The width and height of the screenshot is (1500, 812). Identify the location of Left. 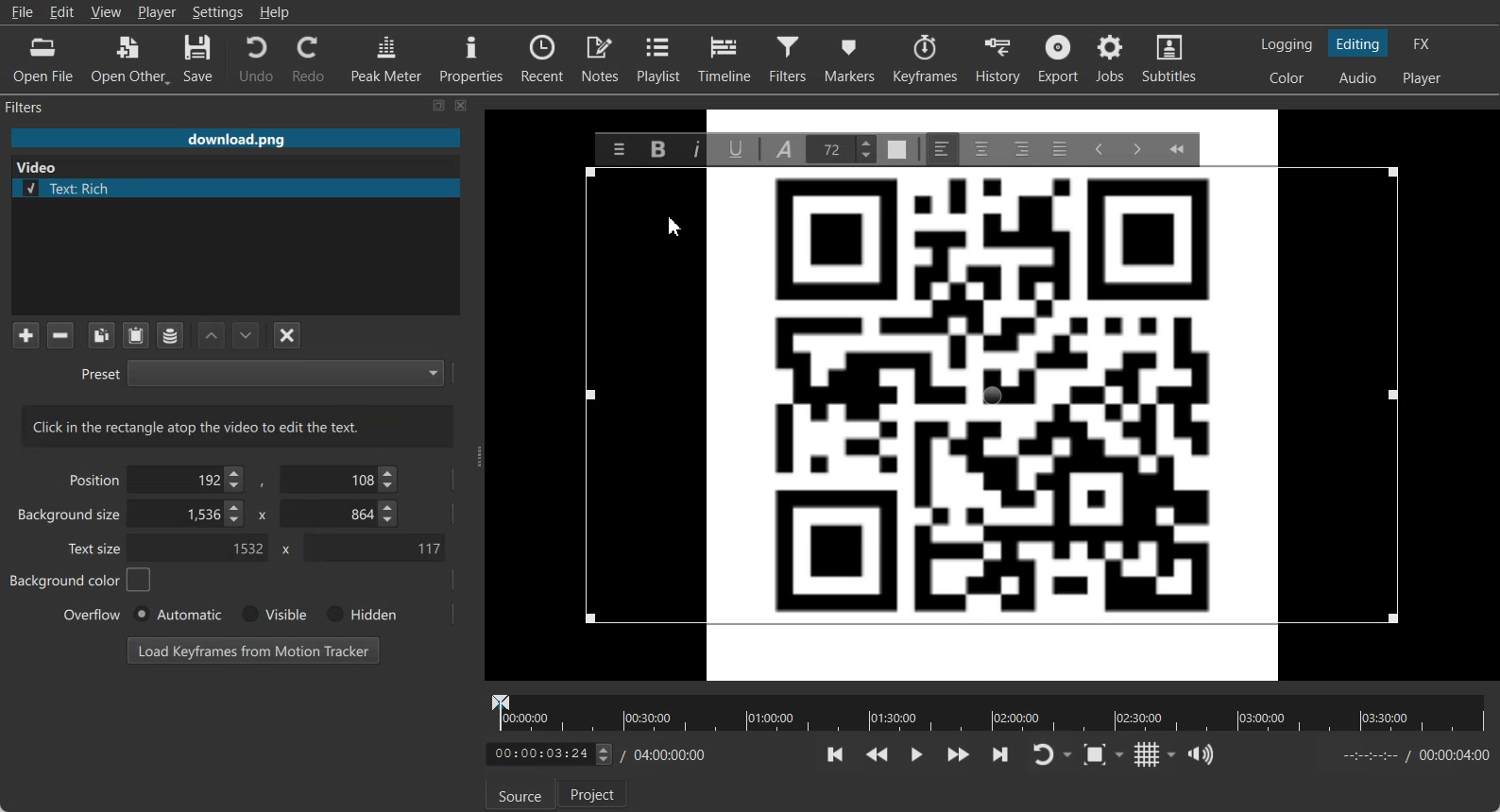
(942, 148).